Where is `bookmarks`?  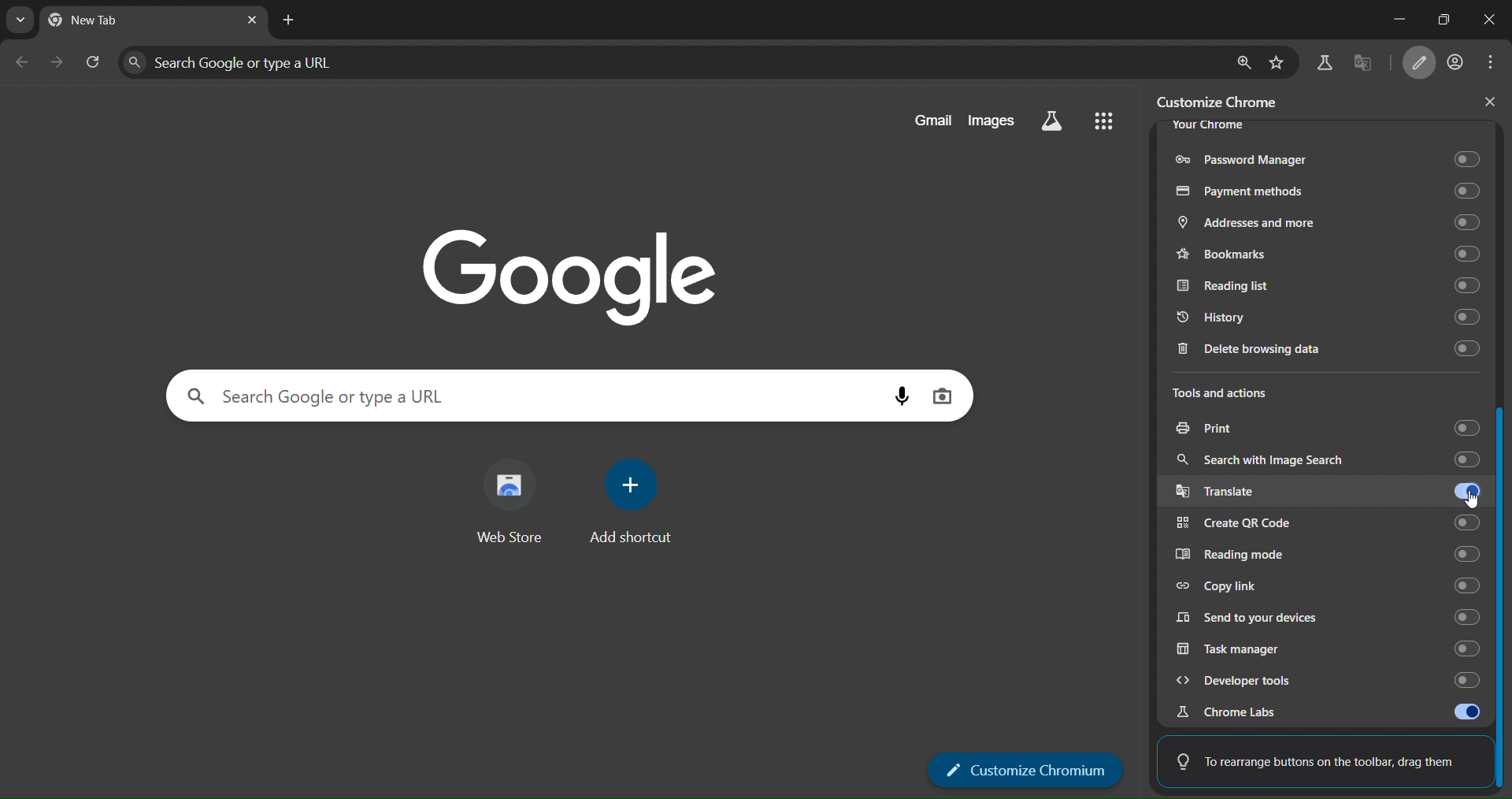 bookmarks is located at coordinates (1327, 252).